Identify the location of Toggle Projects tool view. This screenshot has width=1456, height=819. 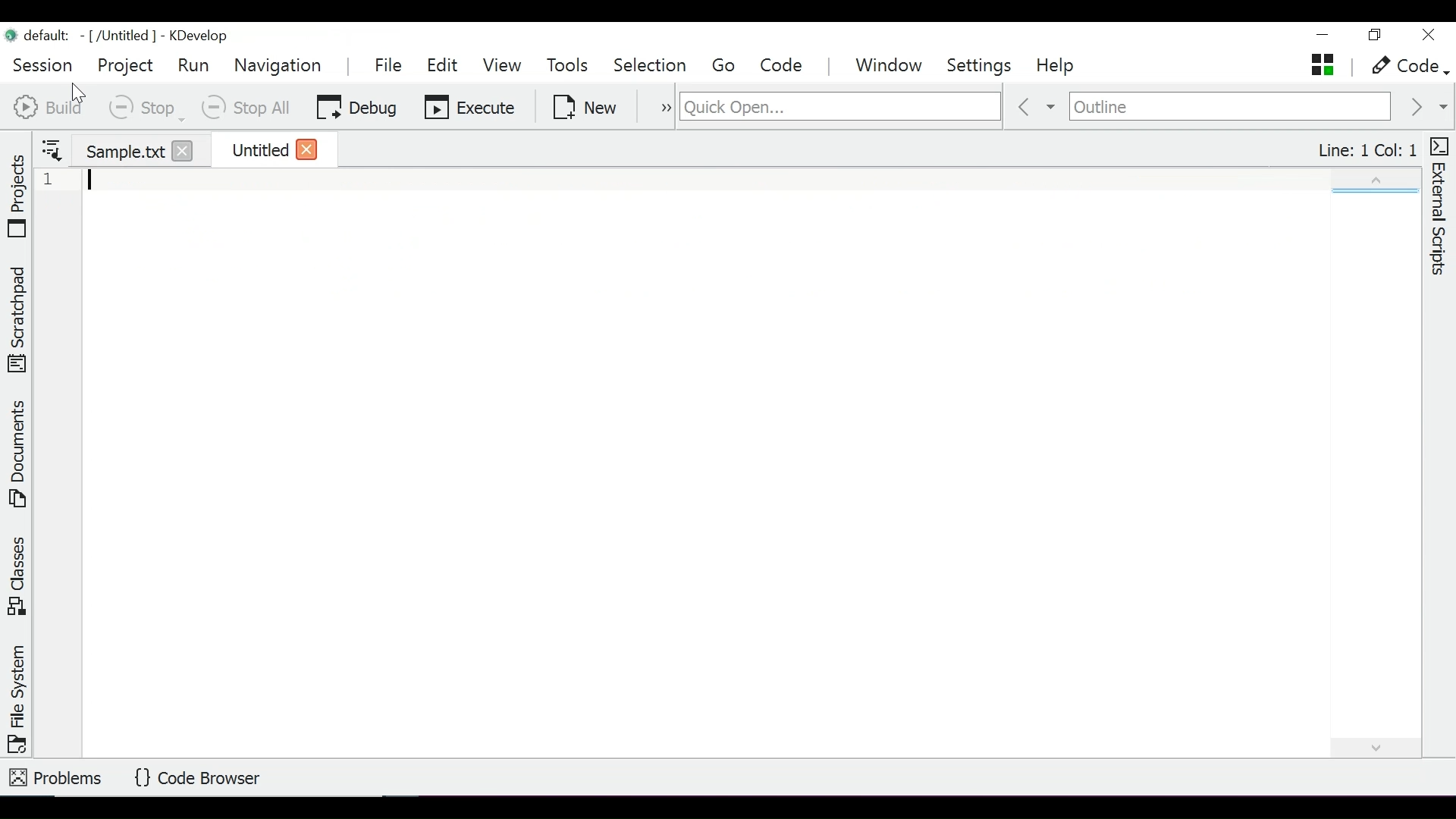
(19, 193).